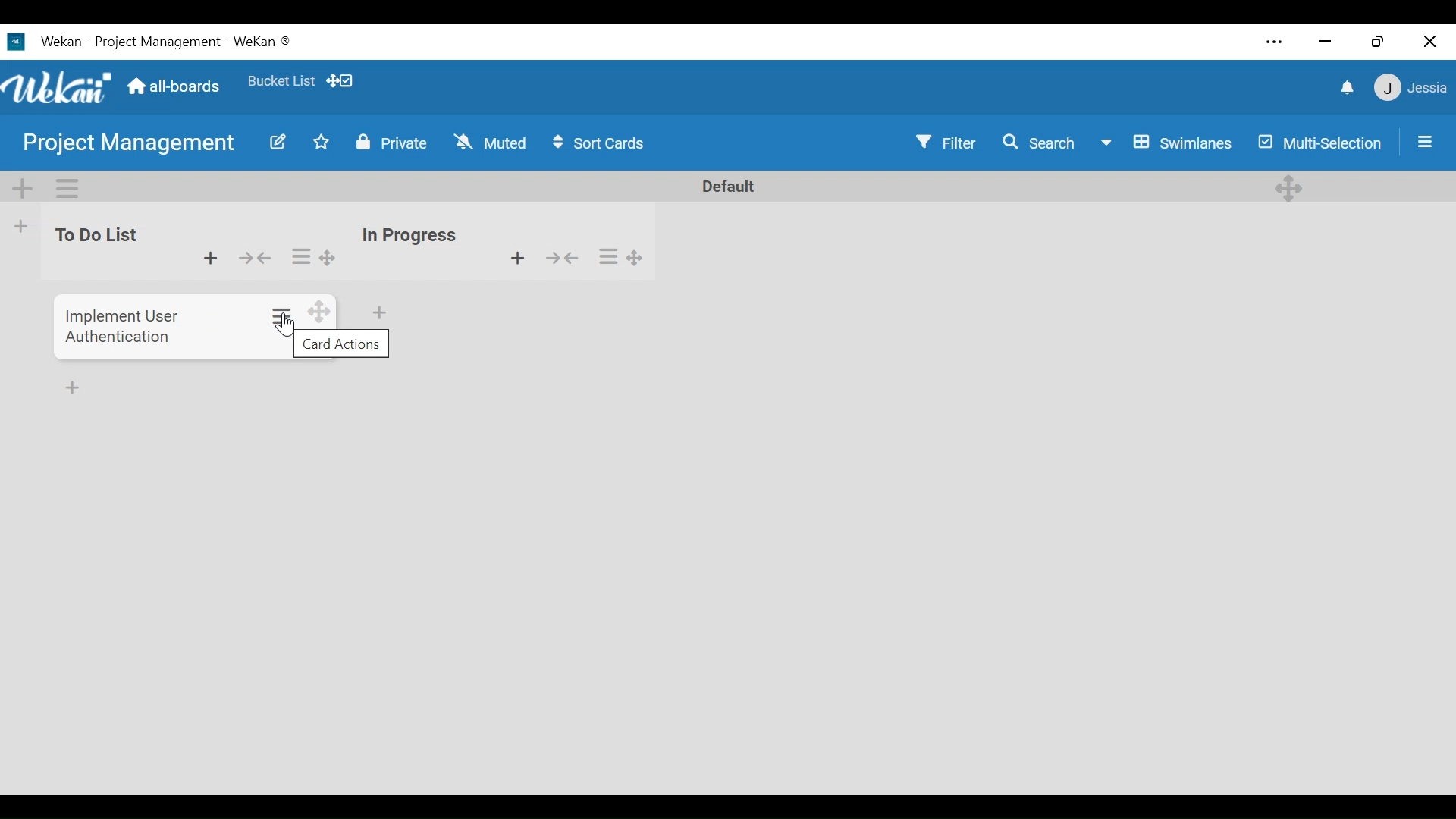  Describe the element at coordinates (129, 146) in the screenshot. I see `Project Management` at that location.